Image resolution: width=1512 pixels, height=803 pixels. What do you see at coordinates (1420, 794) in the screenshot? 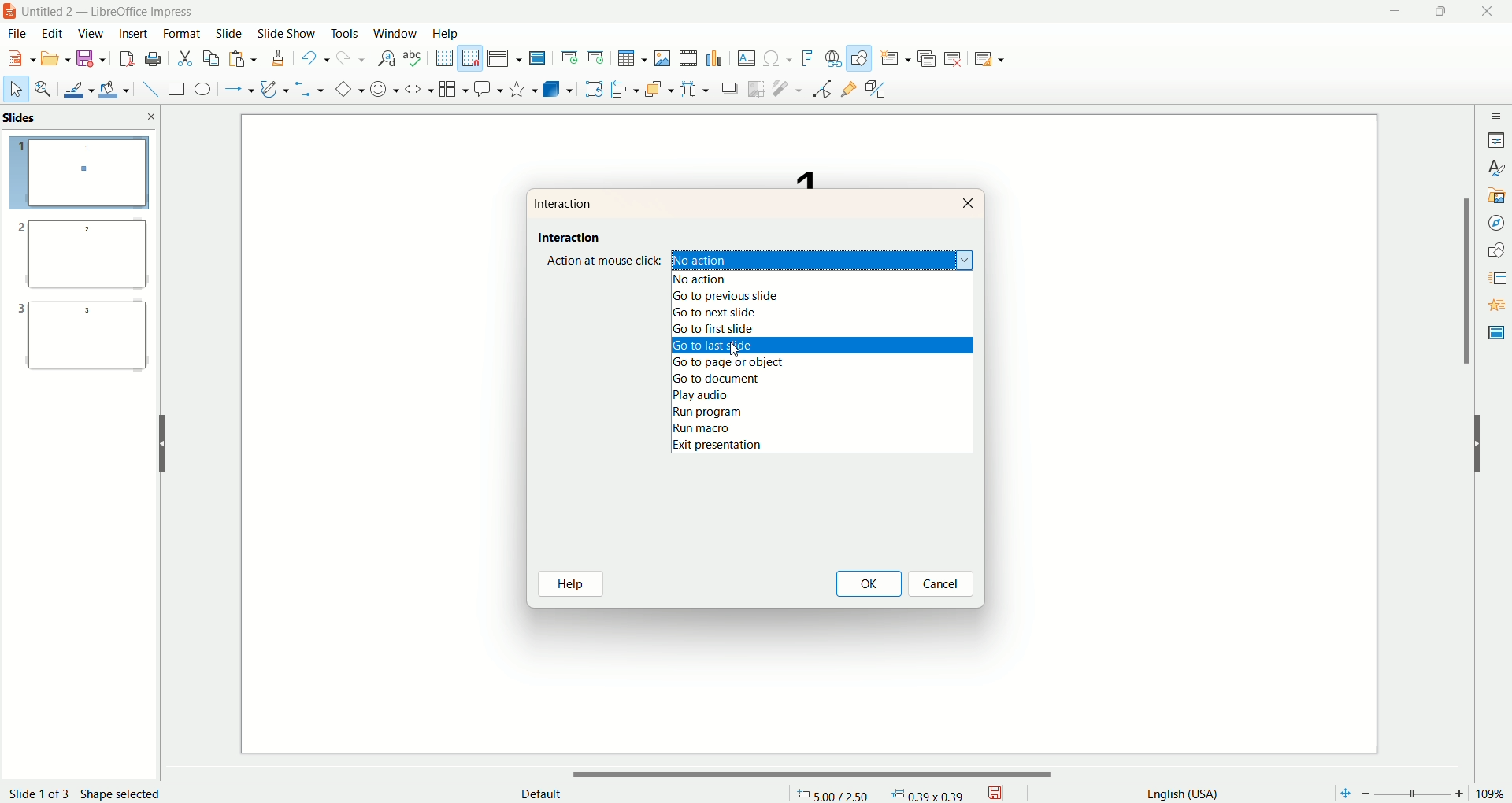
I see `zoom factor` at bounding box center [1420, 794].